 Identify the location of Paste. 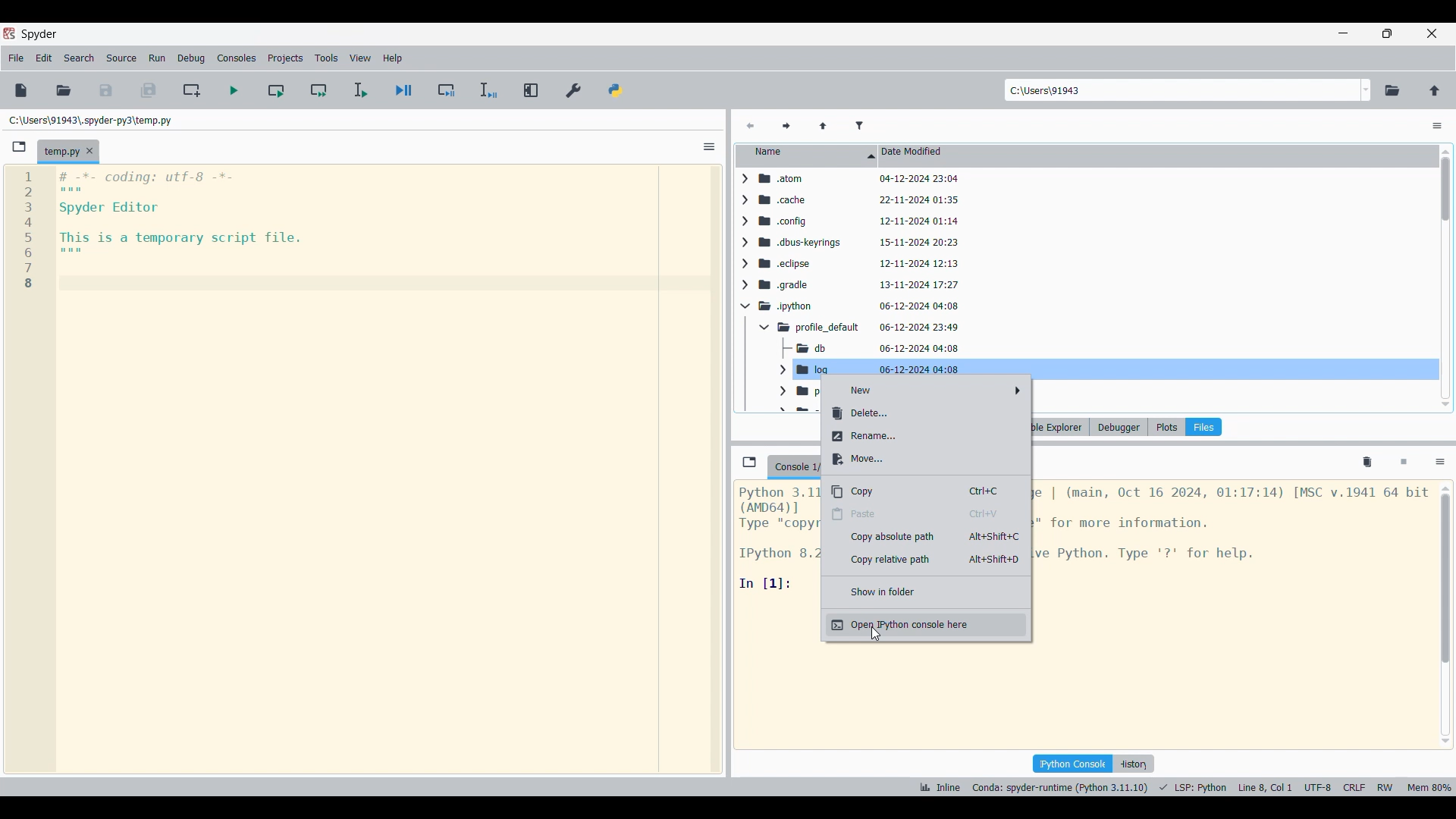
(926, 514).